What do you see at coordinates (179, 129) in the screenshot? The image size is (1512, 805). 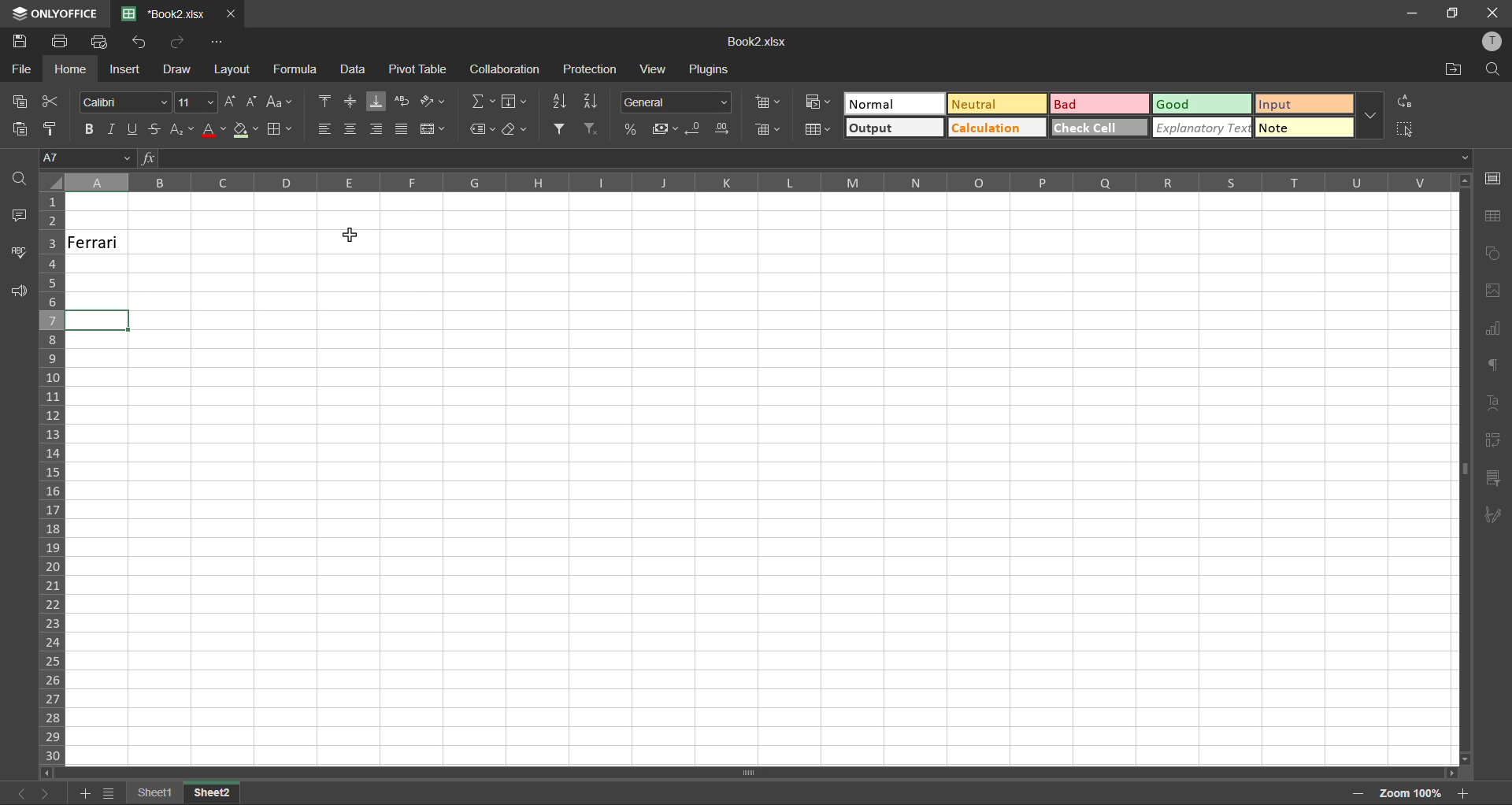 I see `sub/superscript` at bounding box center [179, 129].